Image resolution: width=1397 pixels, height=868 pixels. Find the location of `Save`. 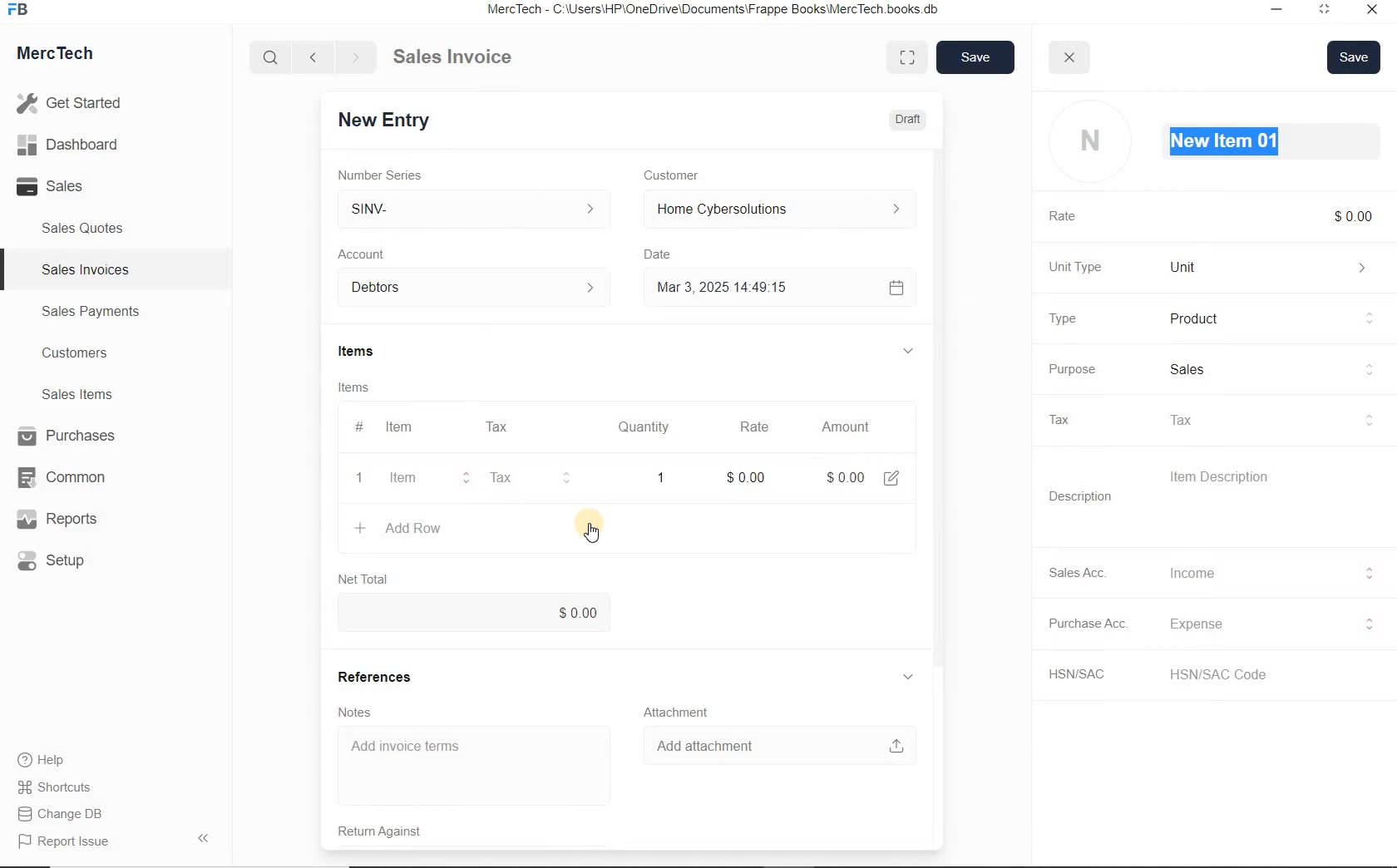

Save is located at coordinates (1355, 57).